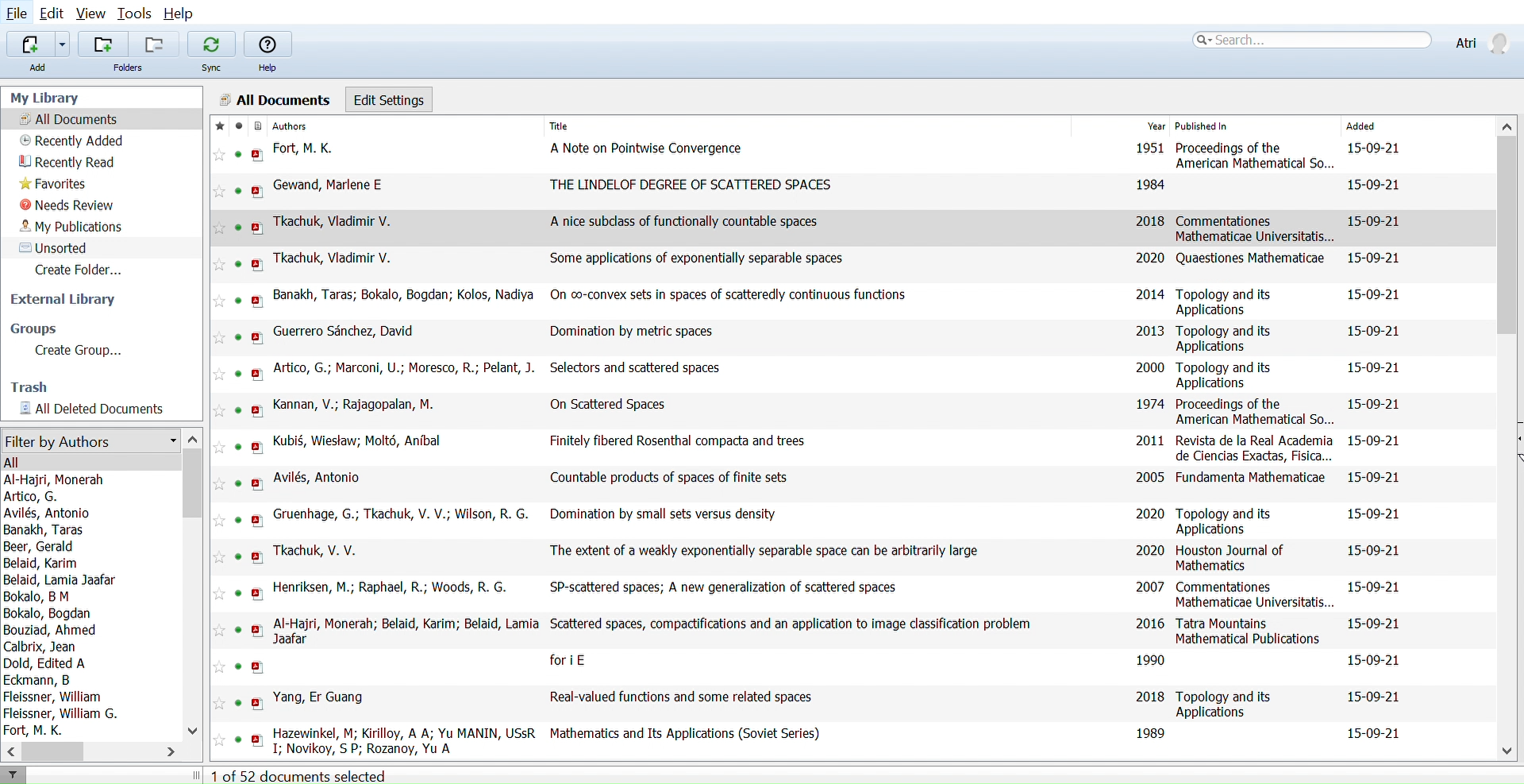 This screenshot has width=1524, height=784. Describe the element at coordinates (1153, 732) in the screenshot. I see `1989` at that location.